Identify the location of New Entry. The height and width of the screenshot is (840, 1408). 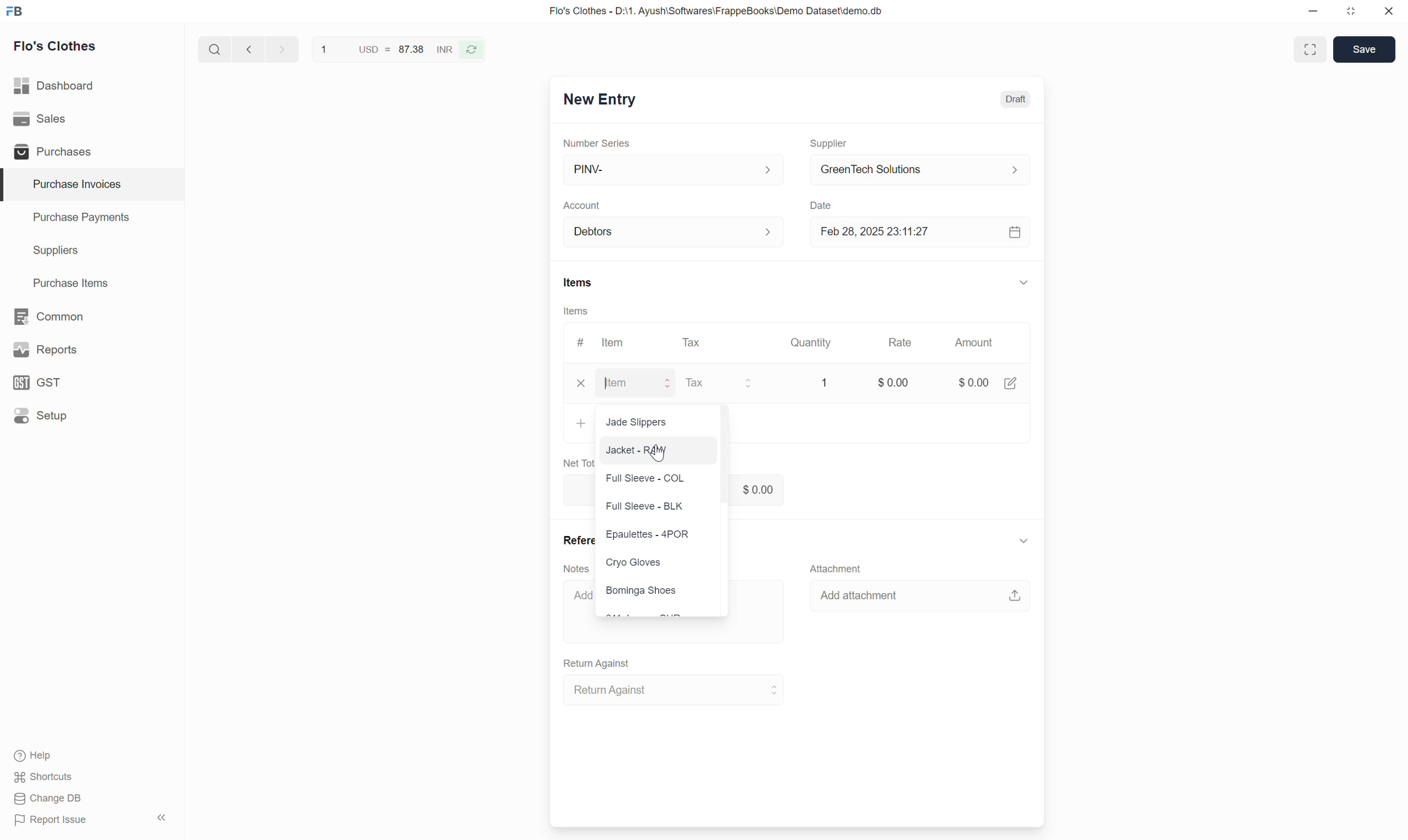
(600, 100).